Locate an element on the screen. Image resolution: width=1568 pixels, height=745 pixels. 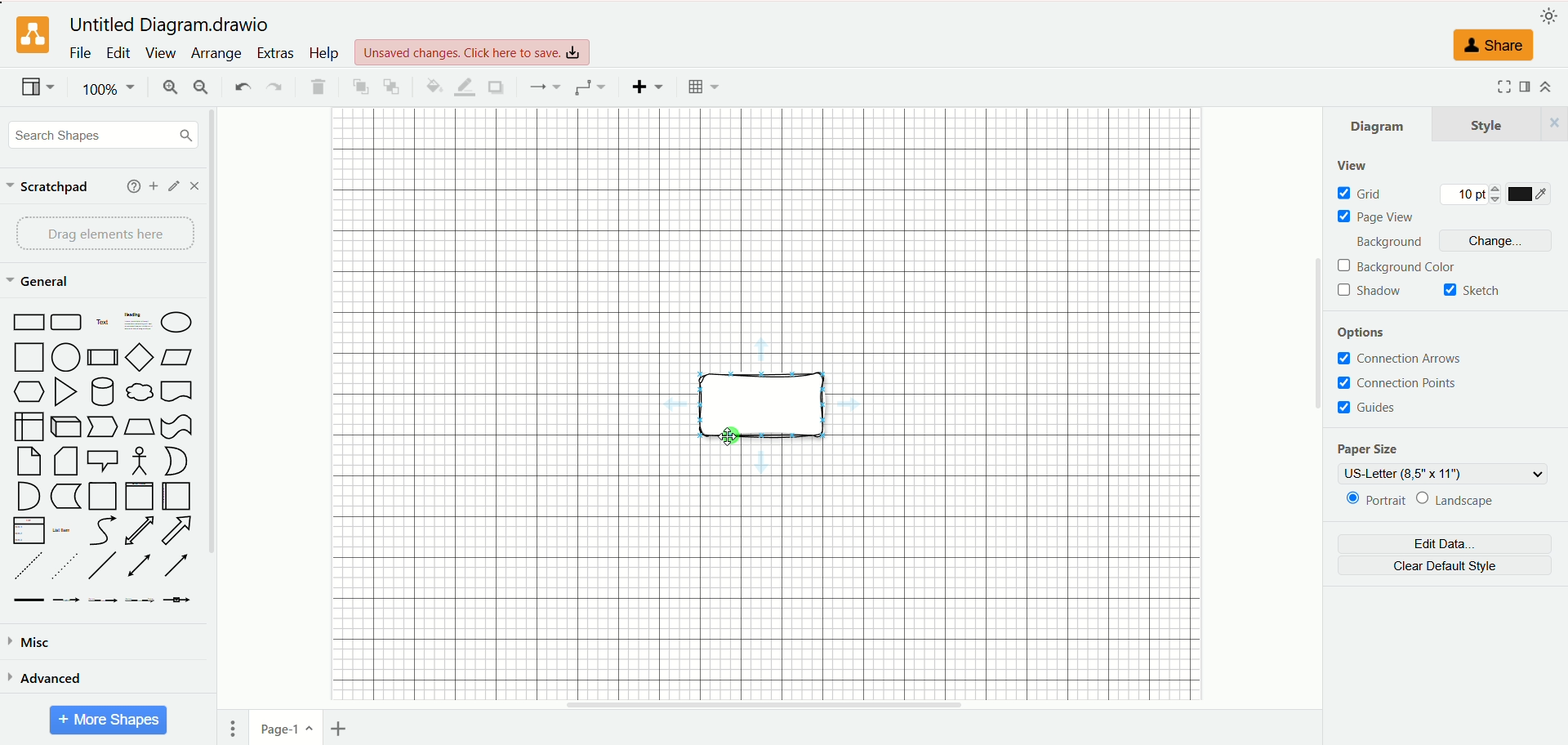
edit is located at coordinates (118, 53).